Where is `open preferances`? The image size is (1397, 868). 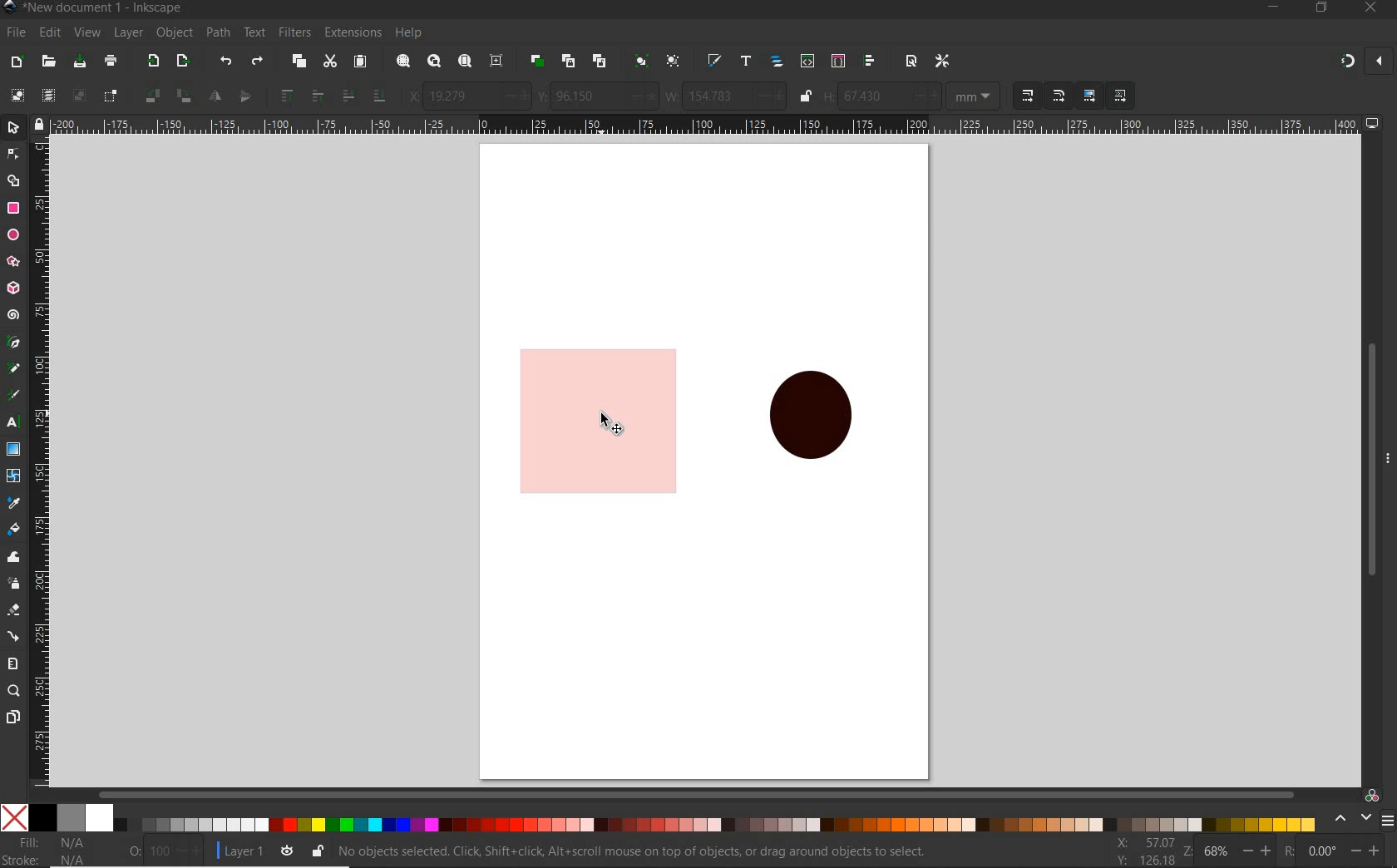
open preferances is located at coordinates (942, 62).